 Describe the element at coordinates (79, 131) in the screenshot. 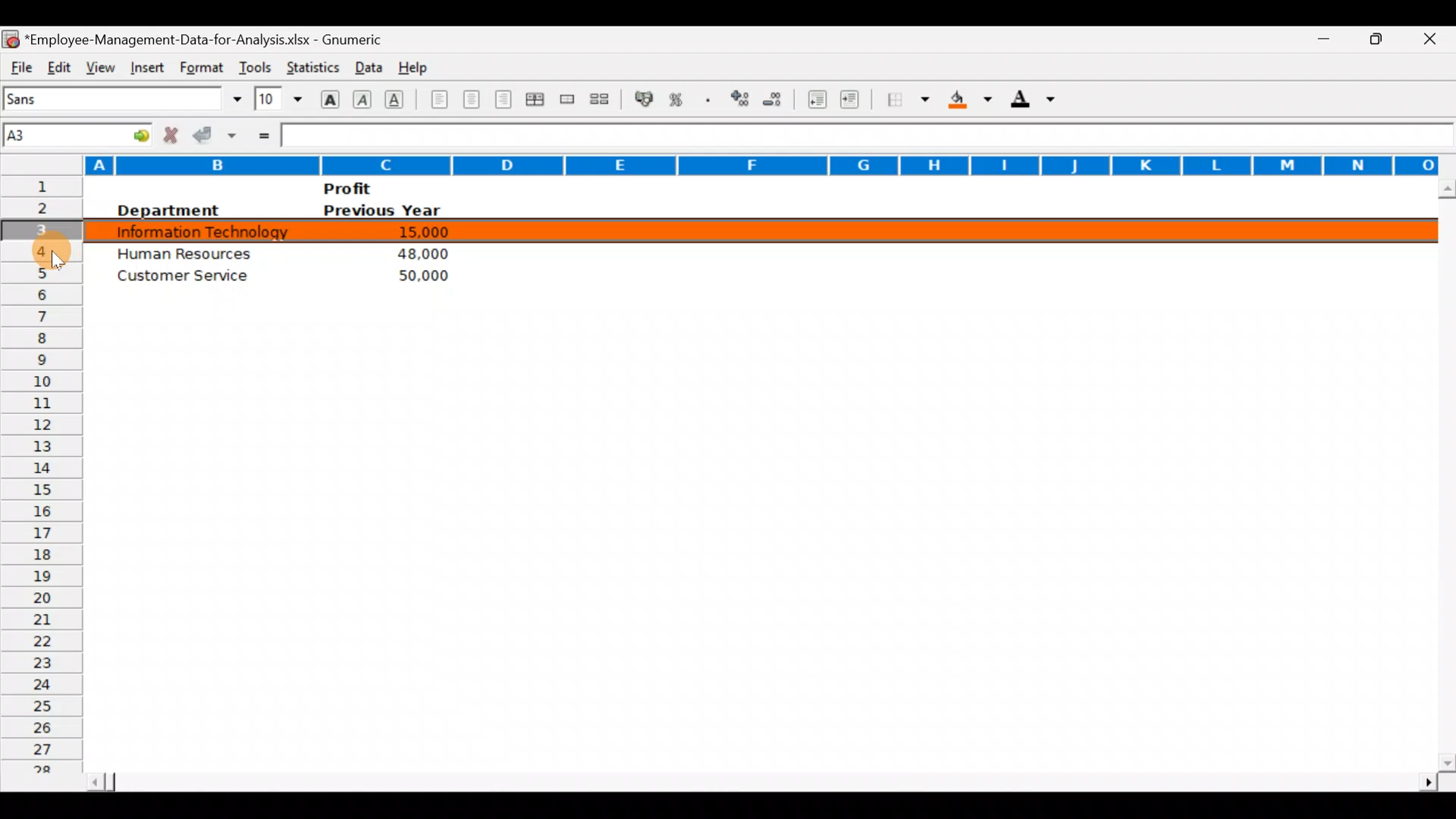

I see `Cell name` at that location.